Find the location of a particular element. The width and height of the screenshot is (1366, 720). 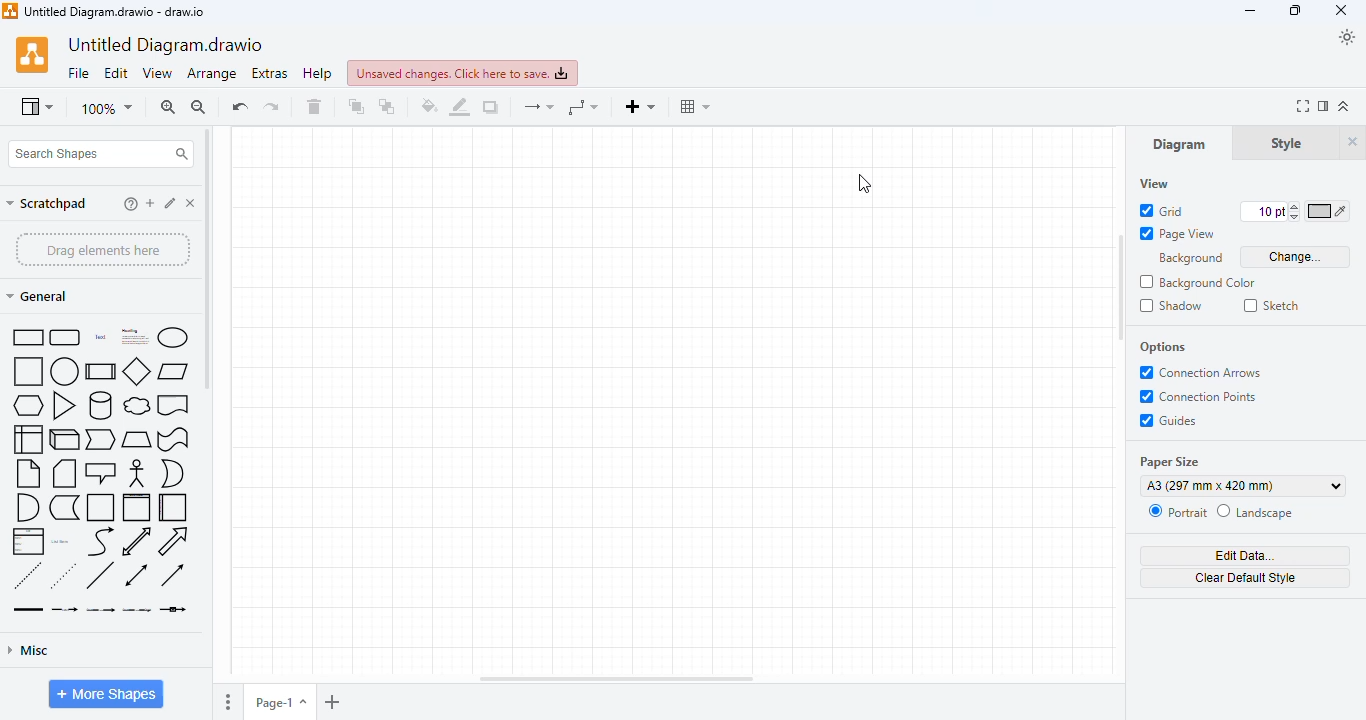

to front is located at coordinates (355, 106).